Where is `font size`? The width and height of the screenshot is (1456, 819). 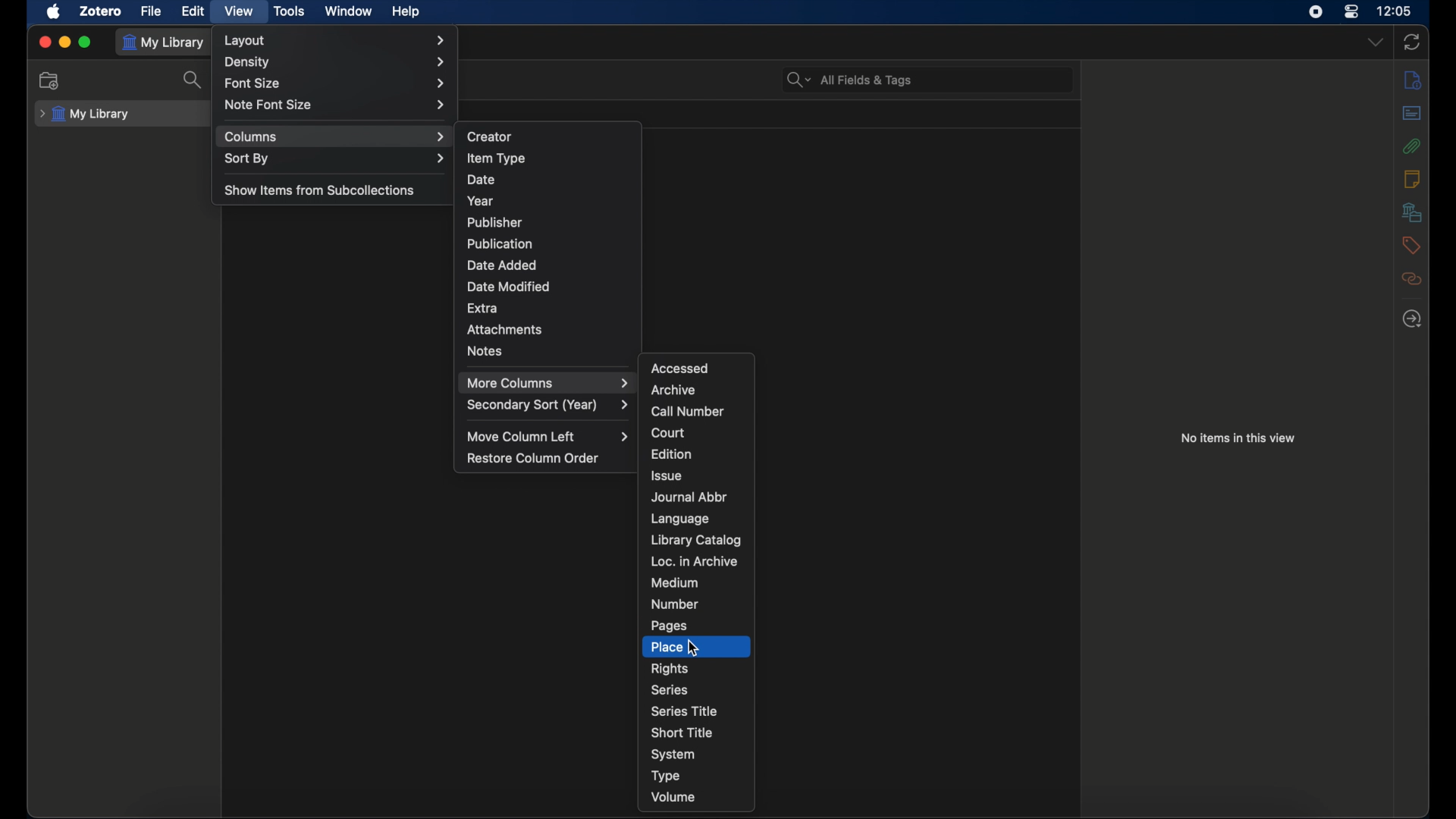
font size is located at coordinates (335, 82).